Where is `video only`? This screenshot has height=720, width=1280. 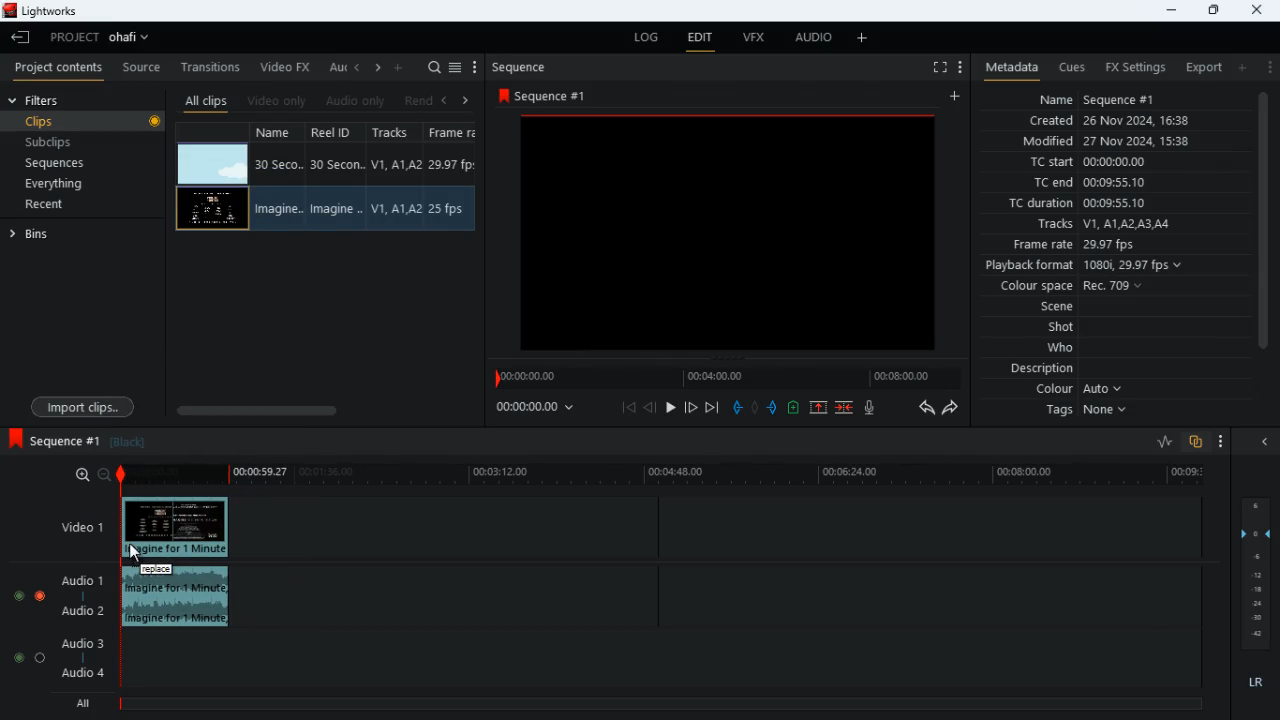
video only is located at coordinates (280, 98).